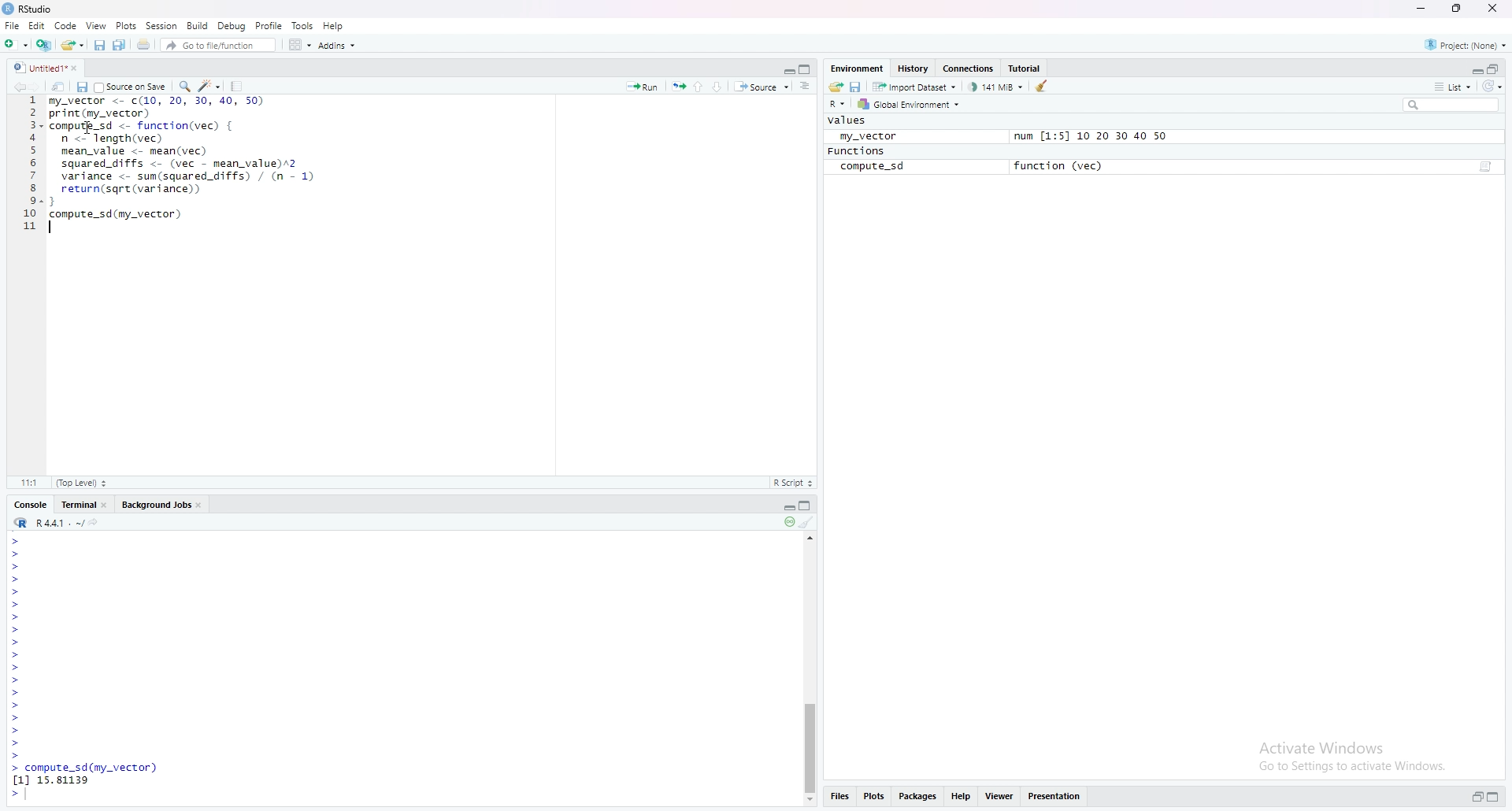 The image size is (1512, 811). What do you see at coordinates (17, 579) in the screenshot?
I see `Prompt cursor` at bounding box center [17, 579].